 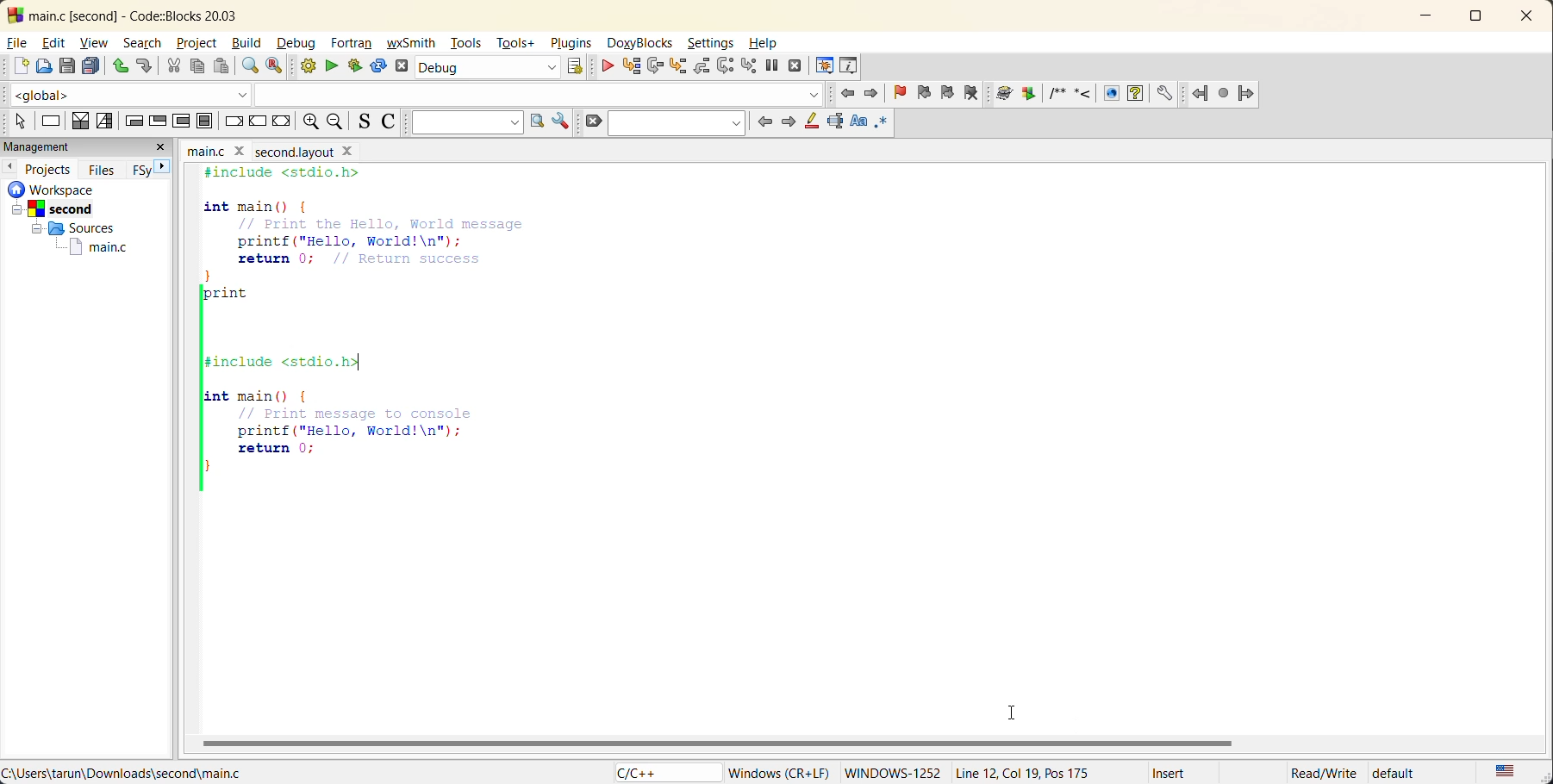 I want to click on Insert, so click(x=1180, y=770).